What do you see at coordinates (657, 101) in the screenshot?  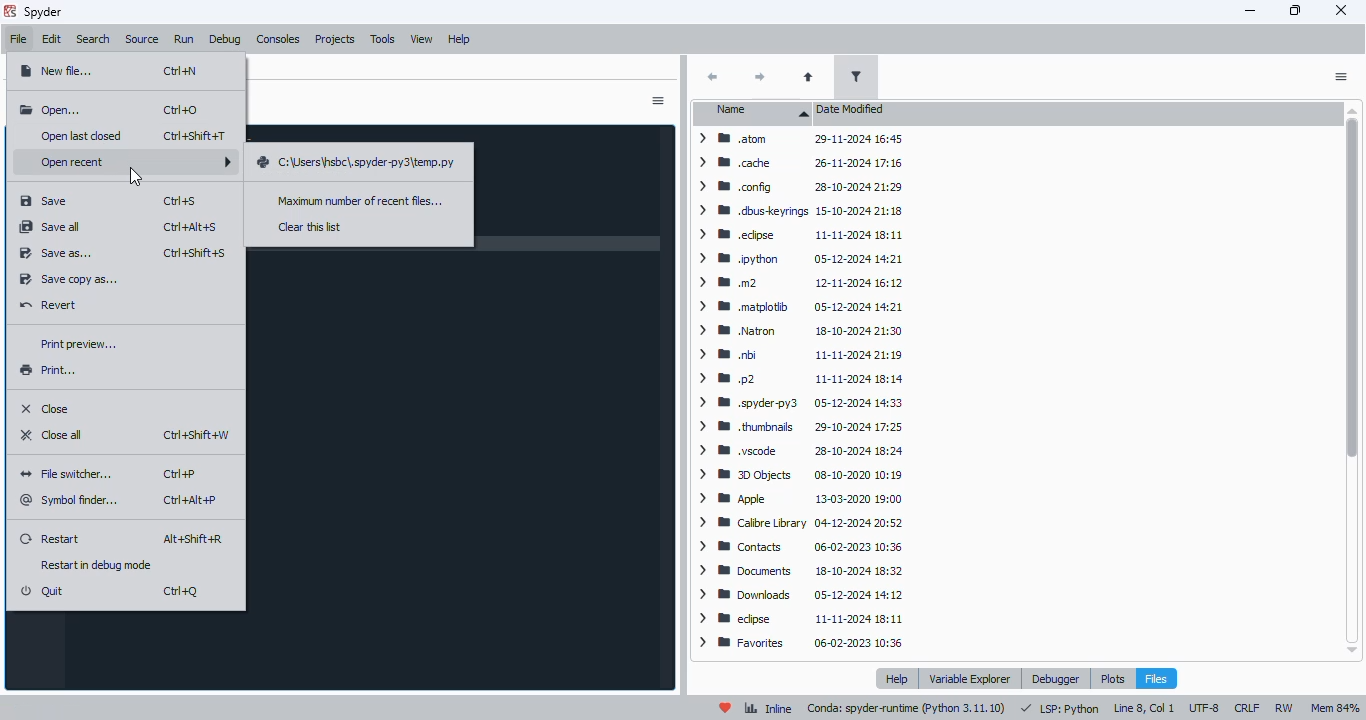 I see `options` at bounding box center [657, 101].